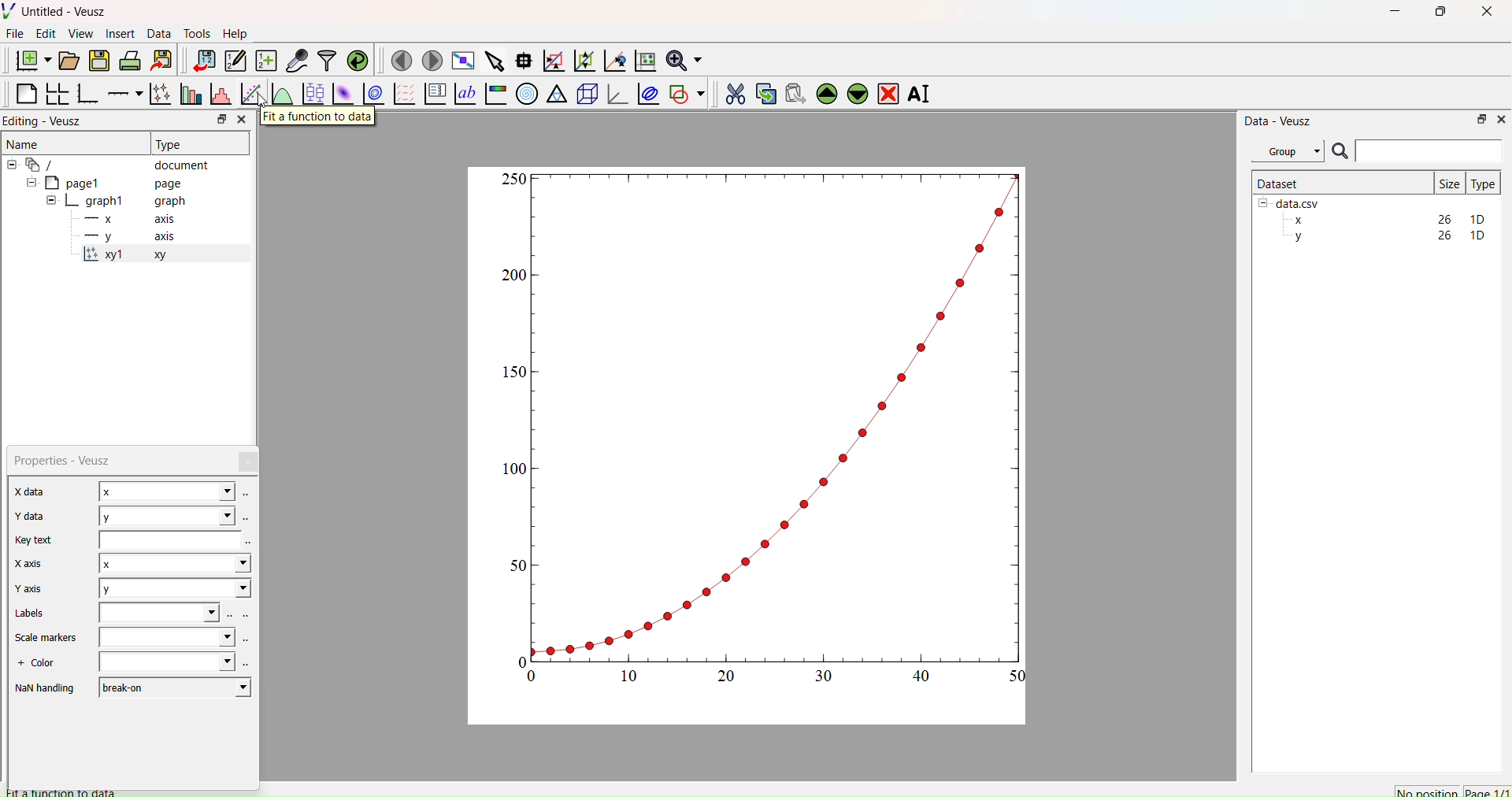  Describe the element at coordinates (174, 586) in the screenshot. I see `y` at that location.